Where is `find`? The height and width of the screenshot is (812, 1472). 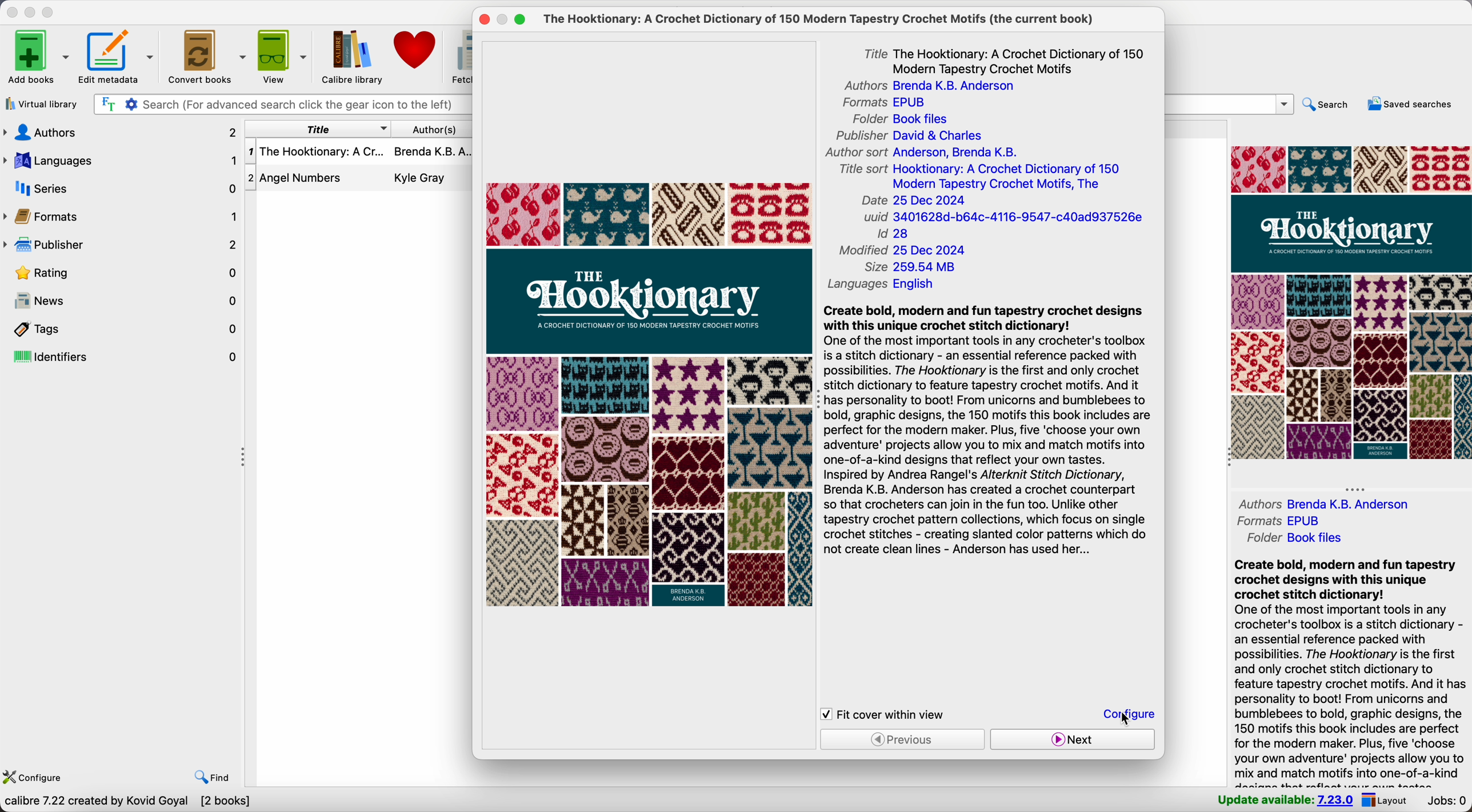 find is located at coordinates (214, 778).